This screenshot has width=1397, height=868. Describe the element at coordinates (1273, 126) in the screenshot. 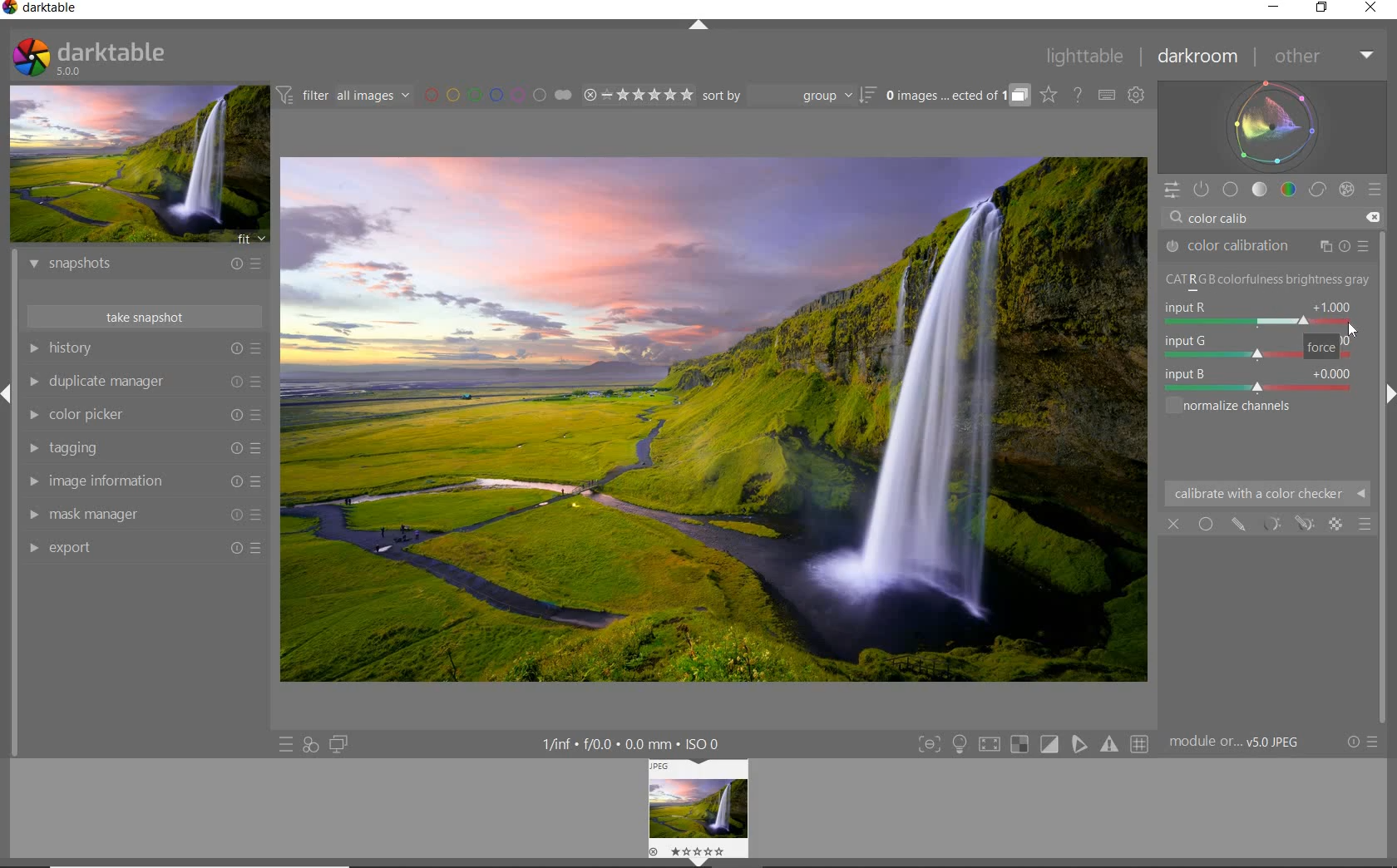

I see `waveform` at that location.